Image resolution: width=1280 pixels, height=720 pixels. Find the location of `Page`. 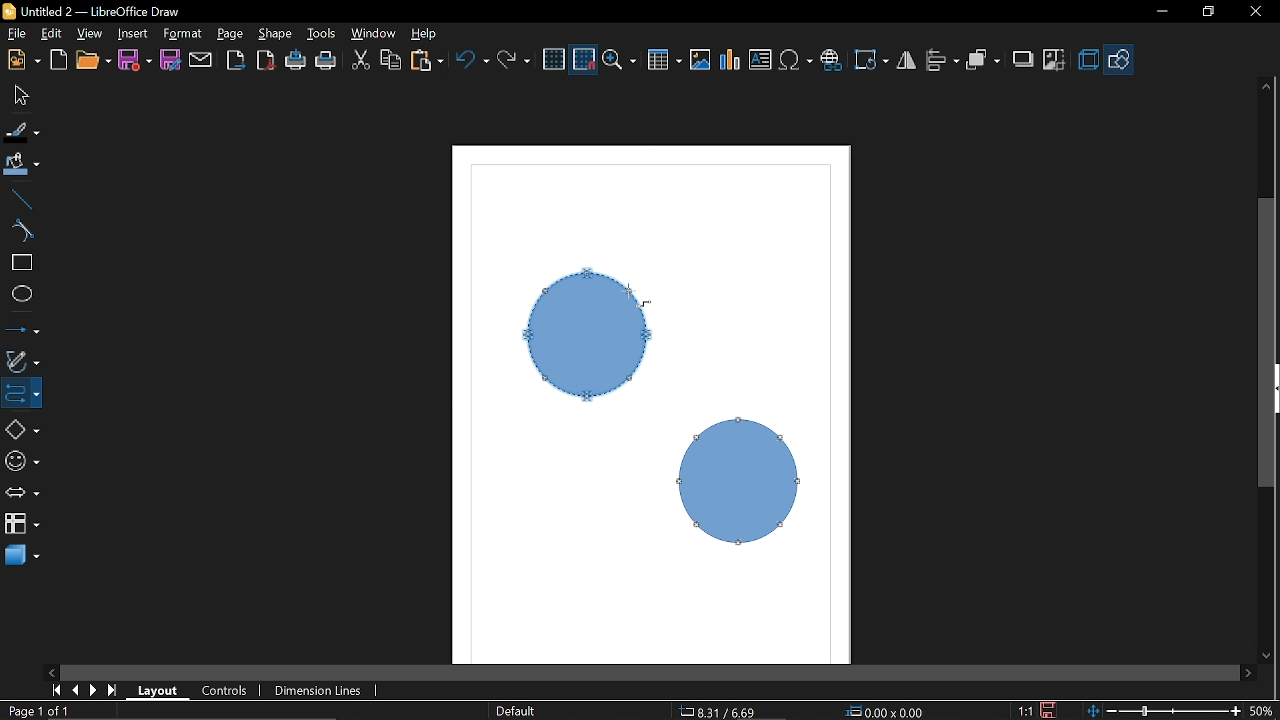

Page is located at coordinates (232, 35).